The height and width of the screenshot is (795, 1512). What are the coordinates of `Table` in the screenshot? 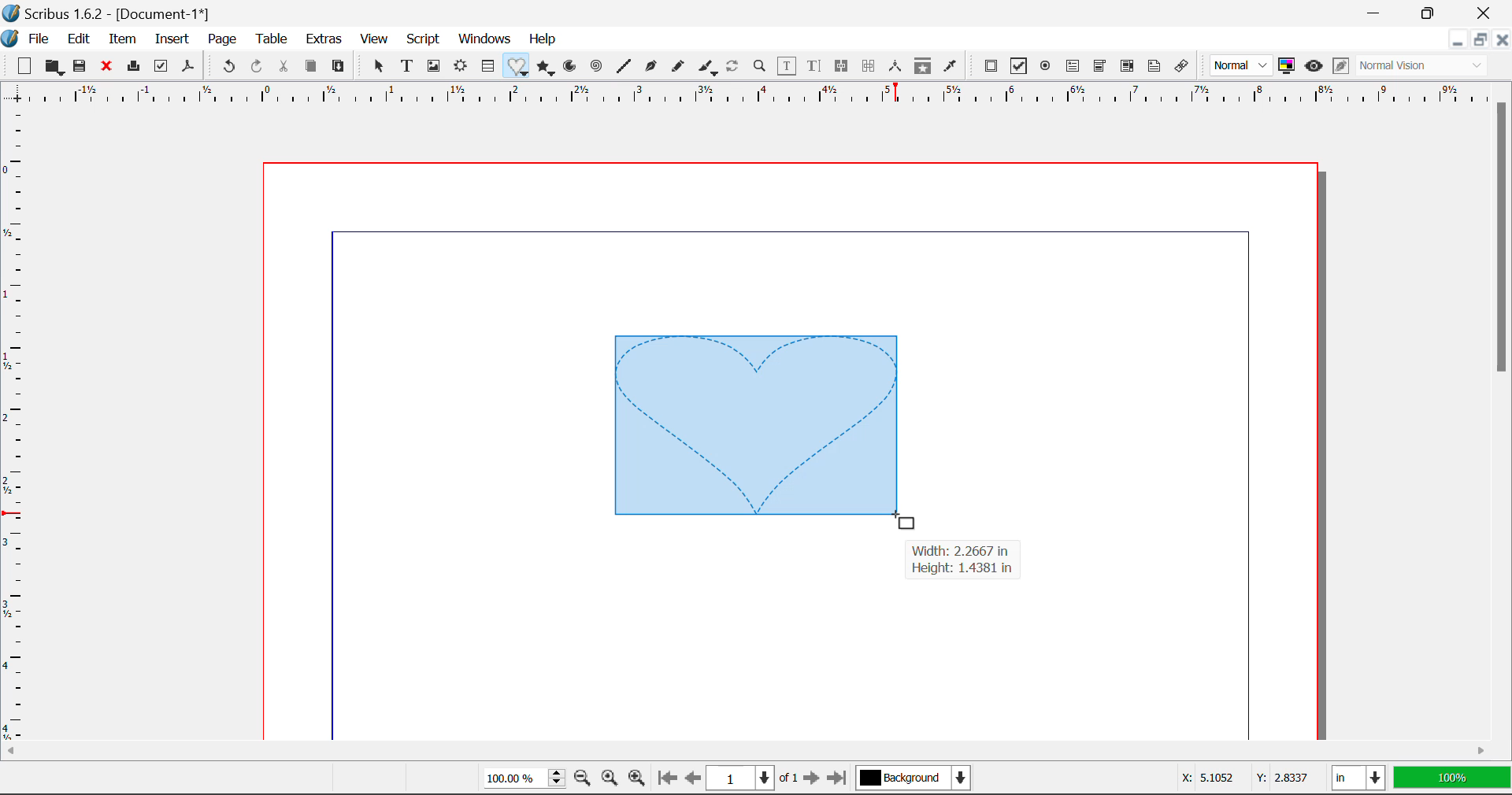 It's located at (274, 39).